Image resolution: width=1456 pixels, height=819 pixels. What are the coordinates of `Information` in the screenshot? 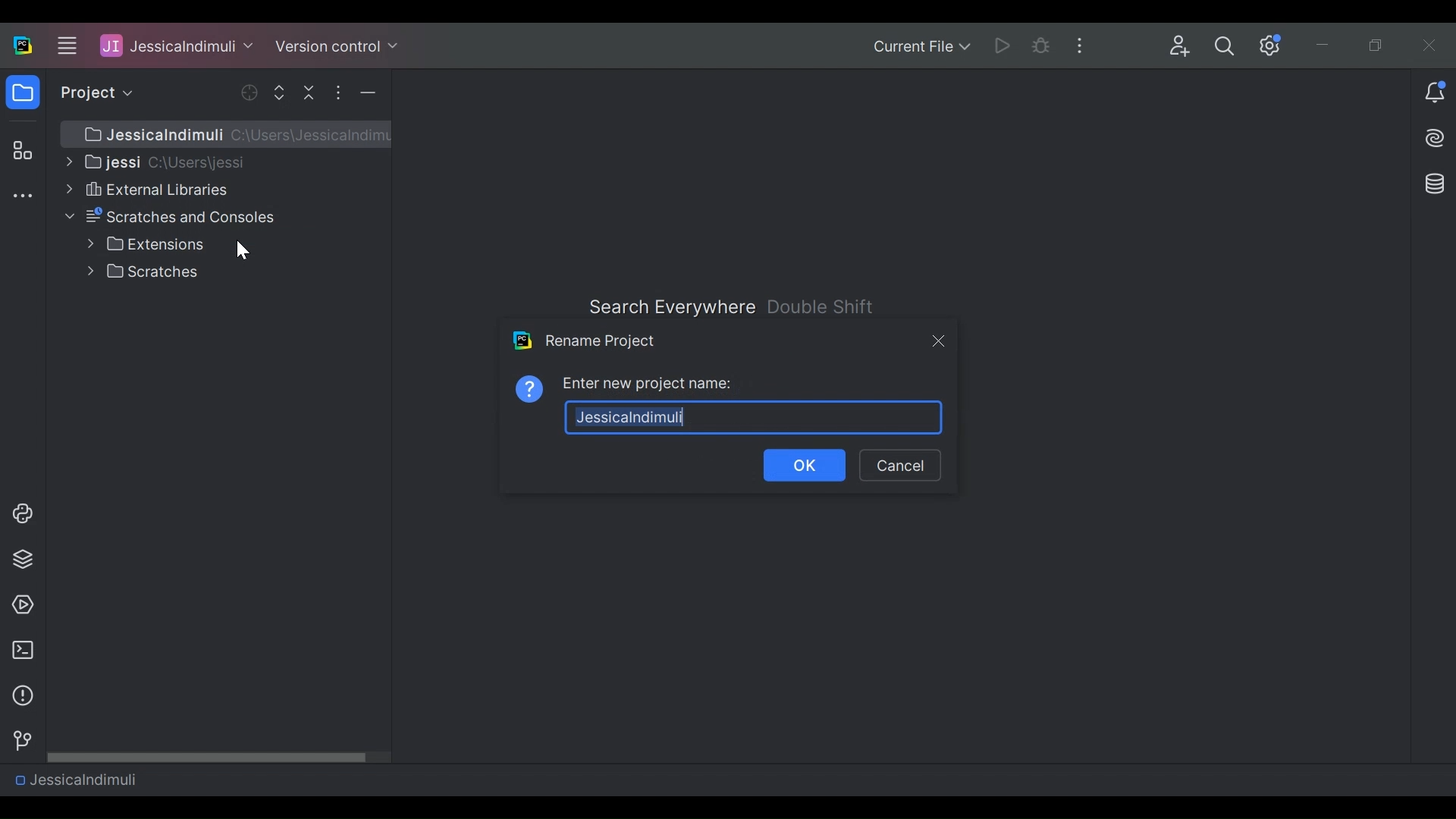 It's located at (530, 388).